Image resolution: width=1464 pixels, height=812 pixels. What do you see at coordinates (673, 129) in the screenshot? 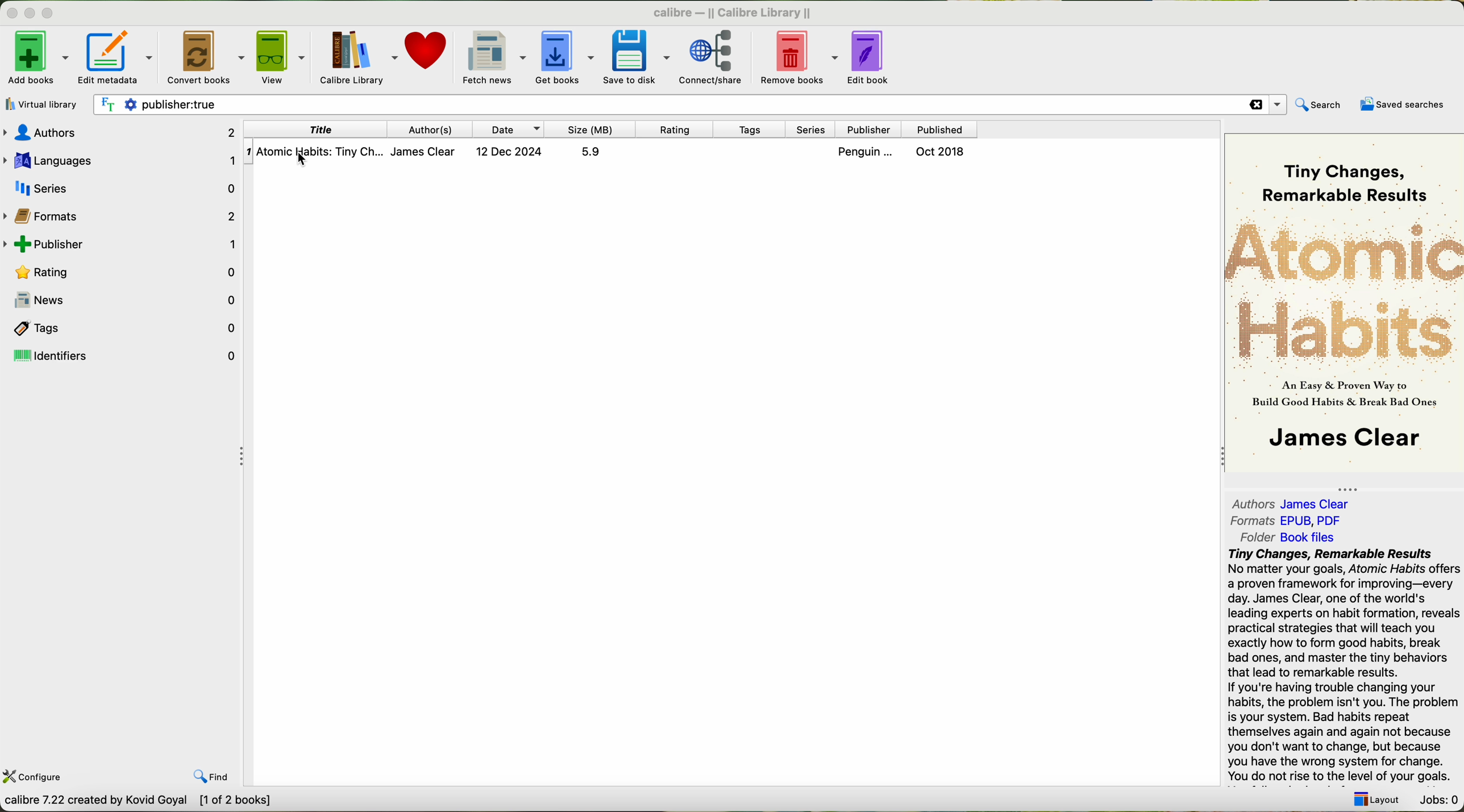
I see `rating` at bounding box center [673, 129].